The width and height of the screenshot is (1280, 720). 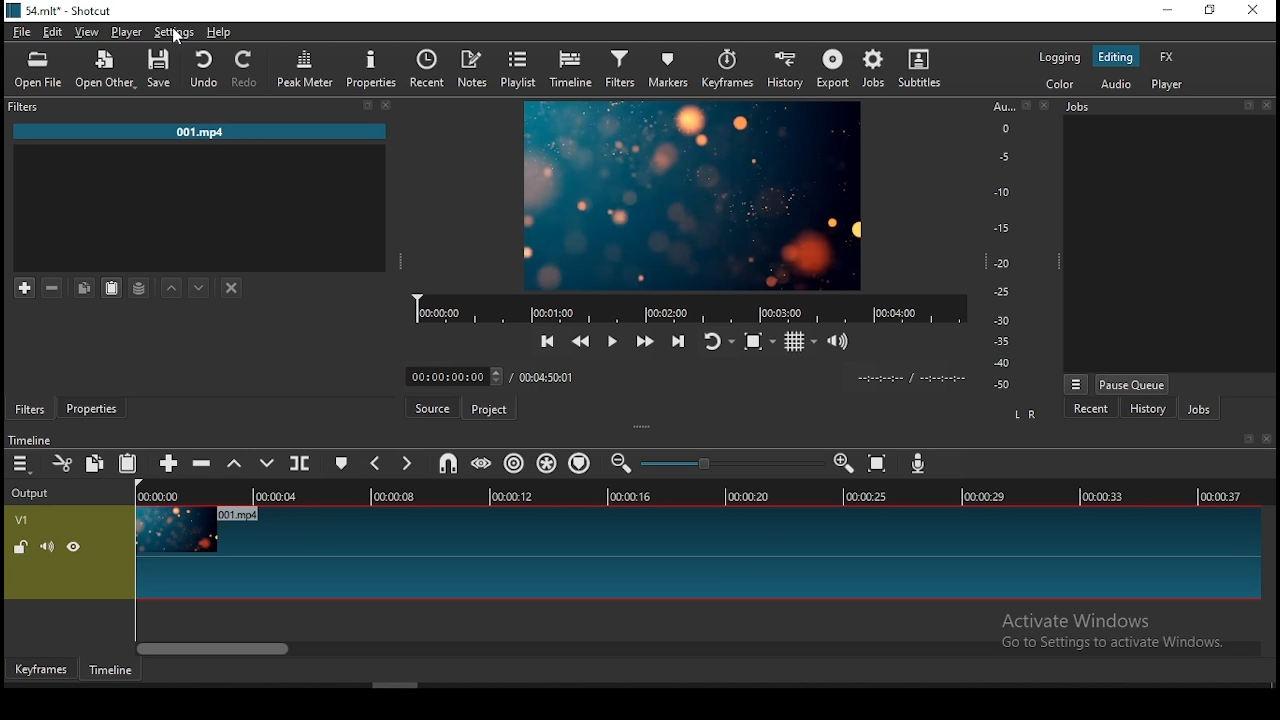 What do you see at coordinates (112, 288) in the screenshot?
I see `paste` at bounding box center [112, 288].